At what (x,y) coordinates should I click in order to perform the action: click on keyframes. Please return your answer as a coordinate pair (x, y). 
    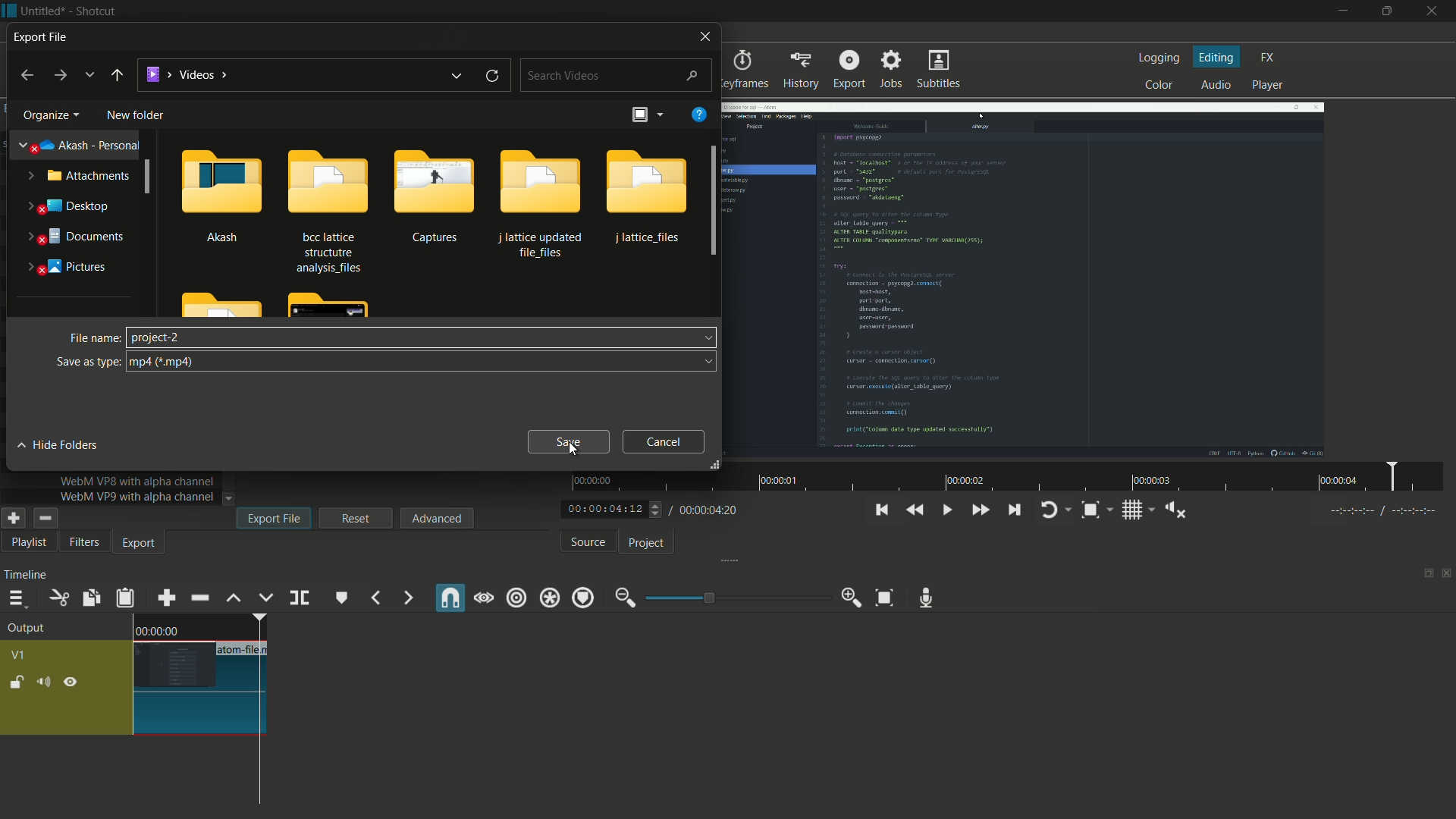
    Looking at the image, I should click on (743, 70).